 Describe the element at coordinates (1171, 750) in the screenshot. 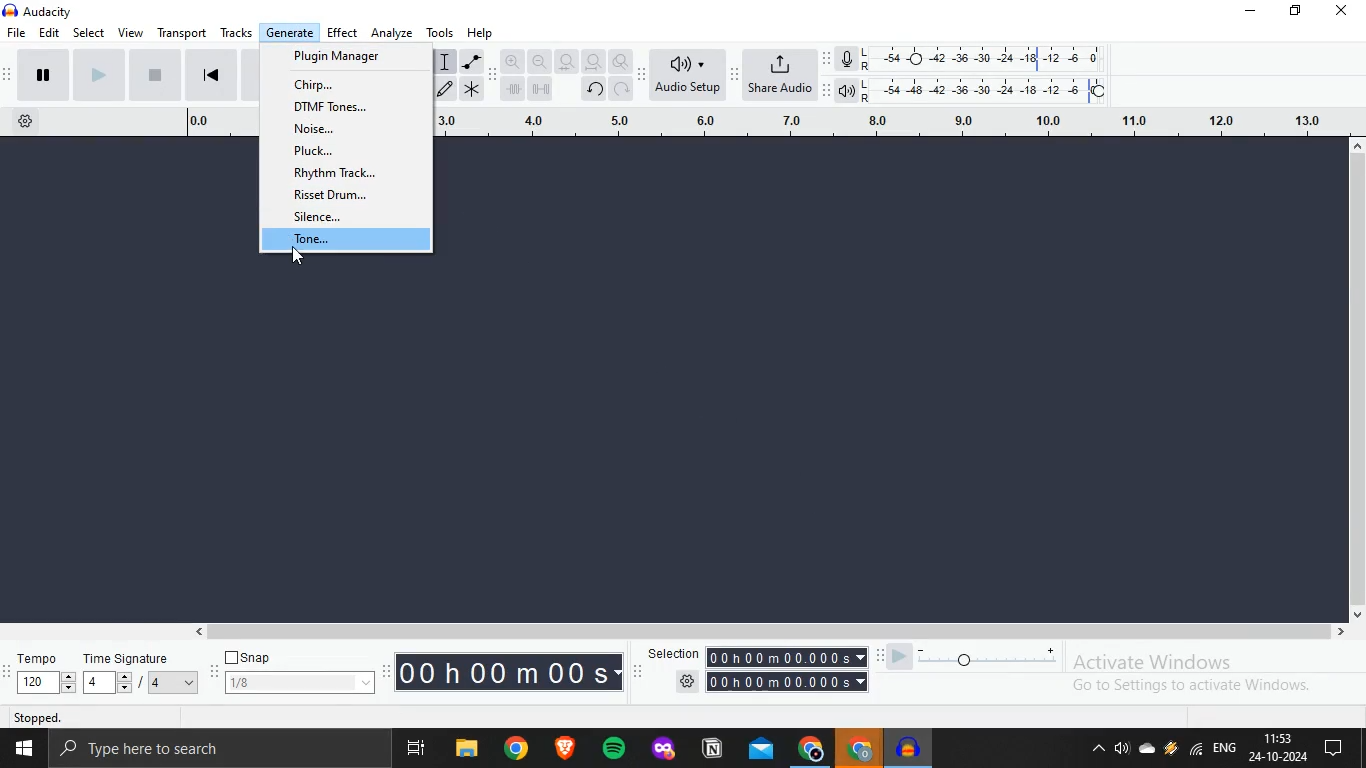

I see `Weather` at that location.